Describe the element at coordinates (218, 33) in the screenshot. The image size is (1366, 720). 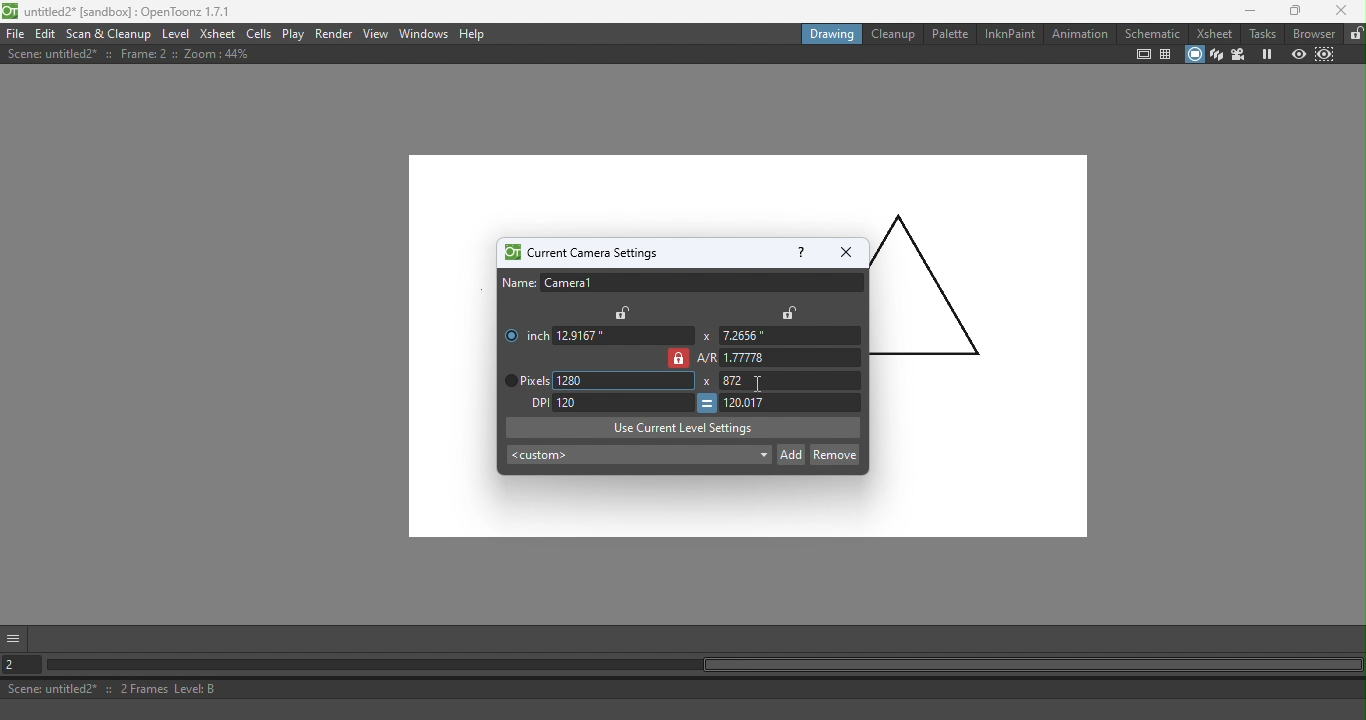
I see `Xsheet` at that location.